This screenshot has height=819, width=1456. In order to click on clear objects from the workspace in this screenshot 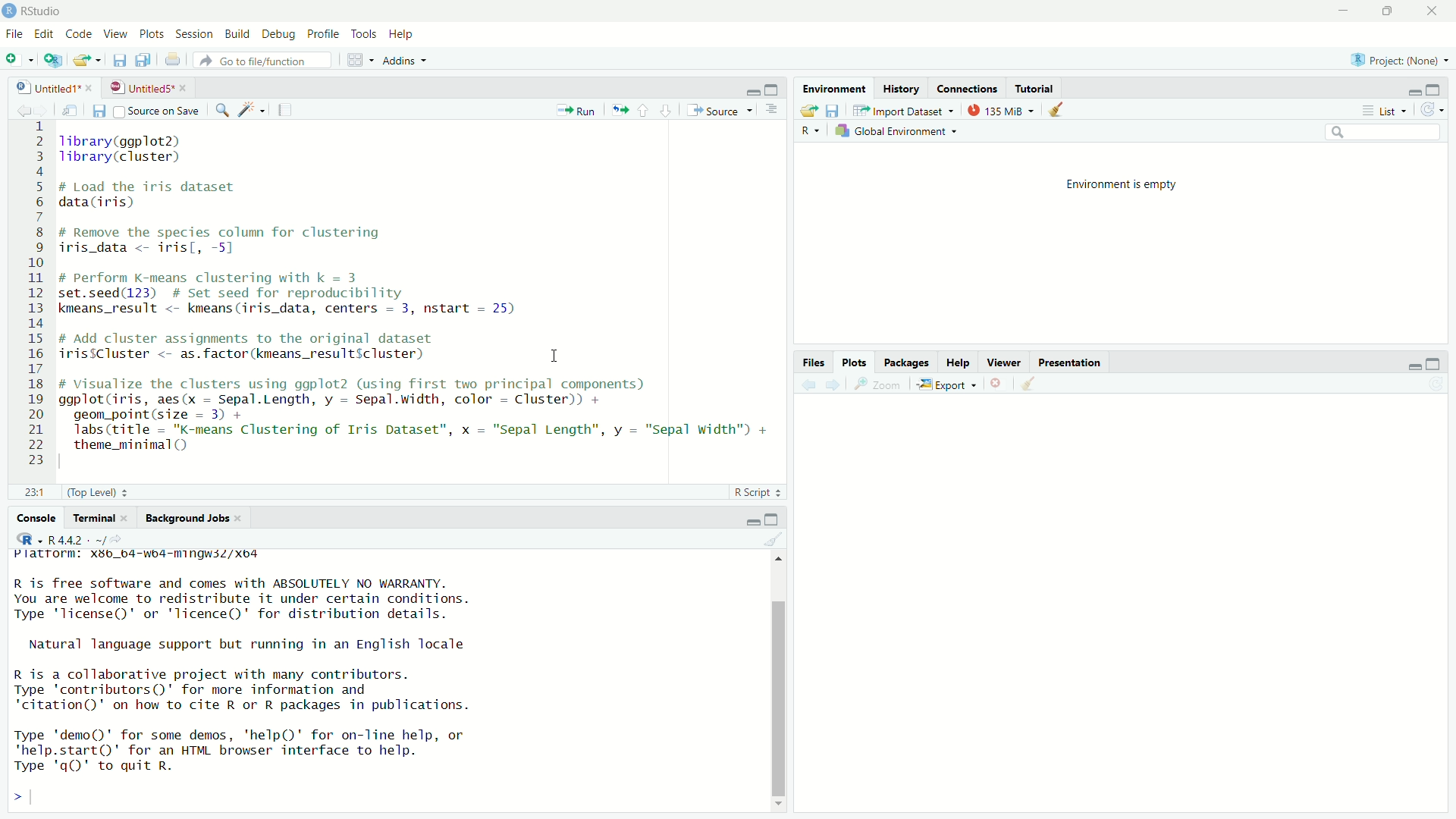, I will do `click(1054, 110)`.